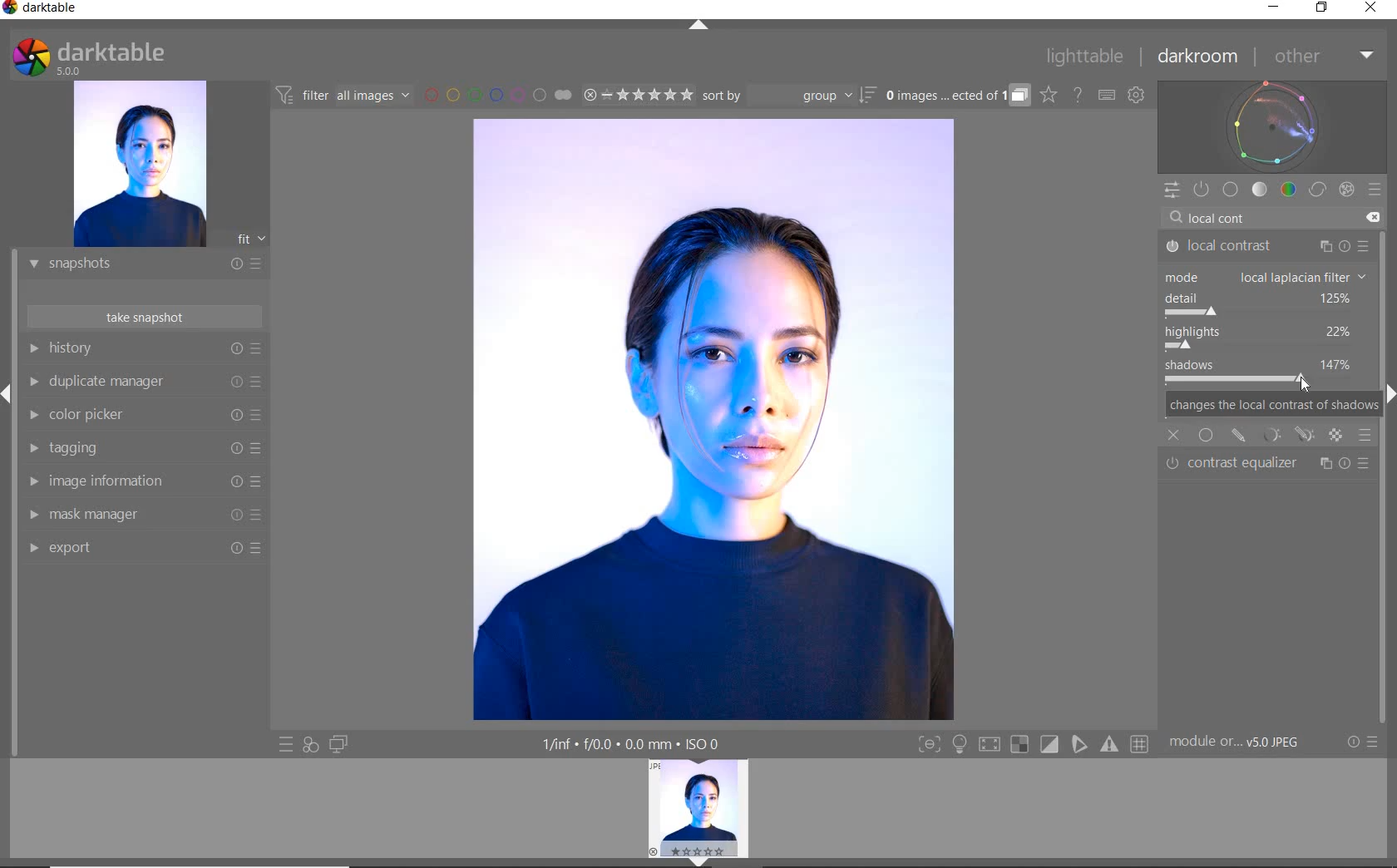  Describe the element at coordinates (1325, 8) in the screenshot. I see `RESTORE` at that location.